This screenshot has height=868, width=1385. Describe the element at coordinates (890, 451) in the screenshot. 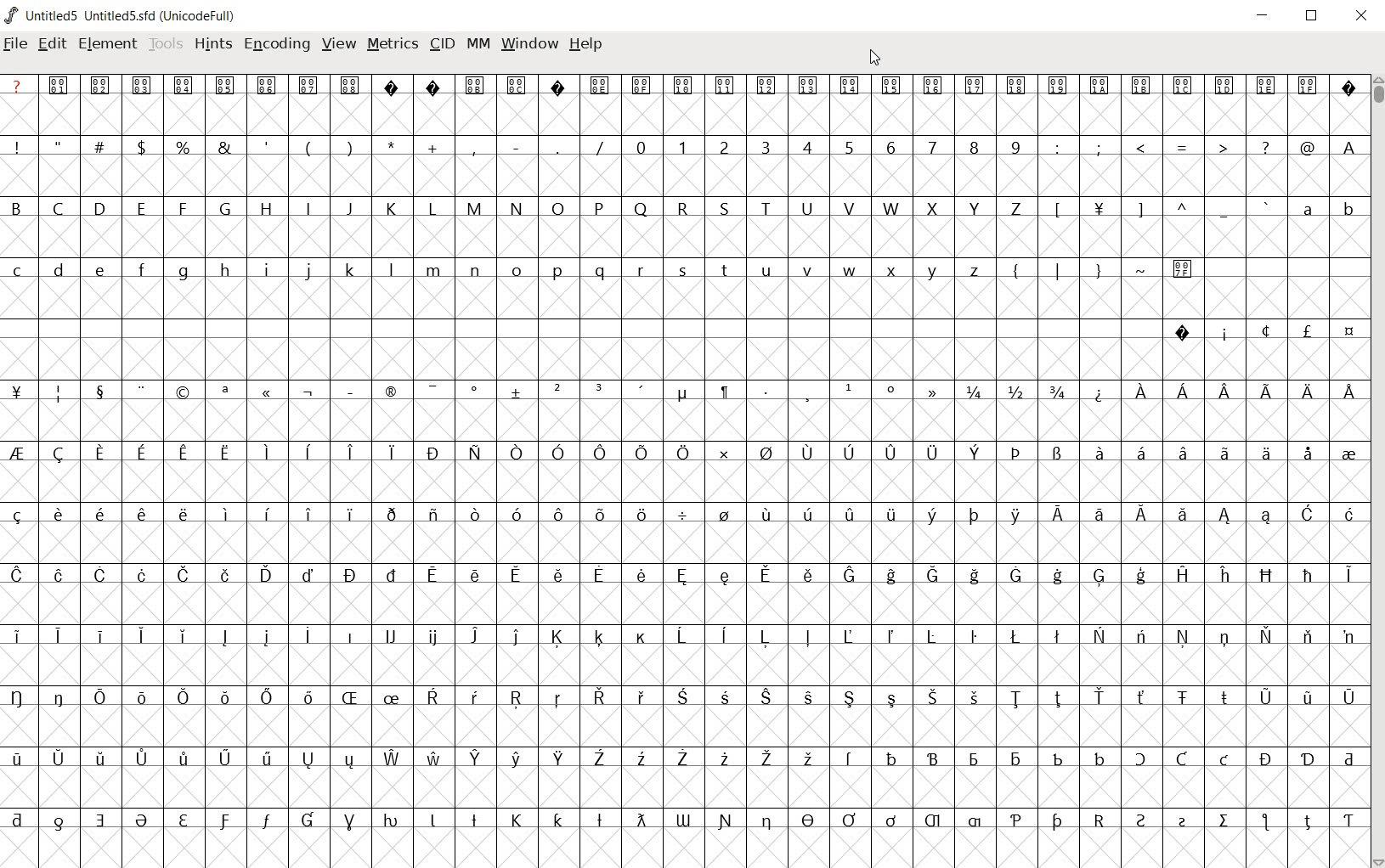

I see `Symbol` at that location.